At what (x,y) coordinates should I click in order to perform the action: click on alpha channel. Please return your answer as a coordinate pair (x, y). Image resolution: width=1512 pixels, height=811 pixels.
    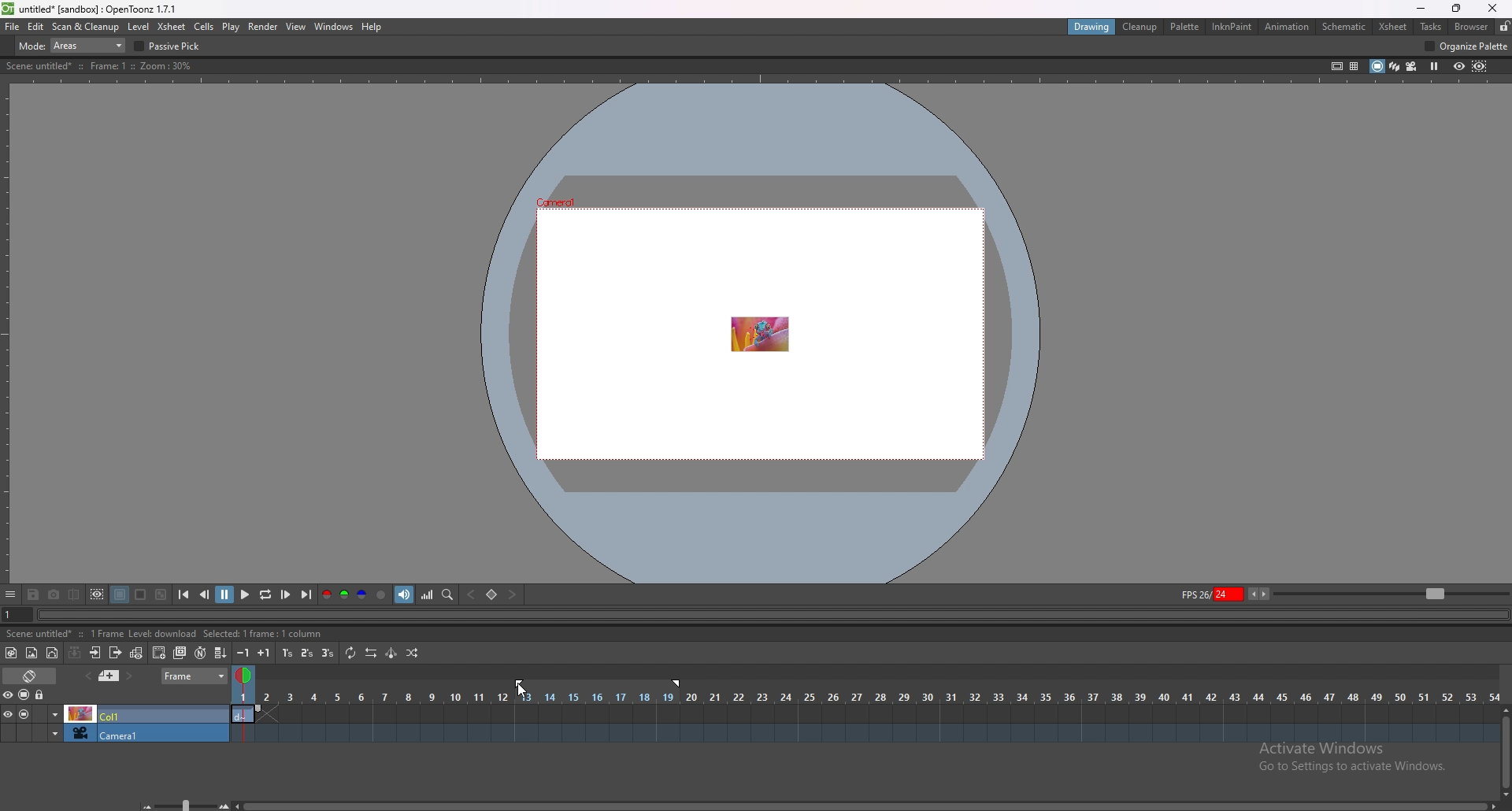
    Looking at the image, I should click on (382, 594).